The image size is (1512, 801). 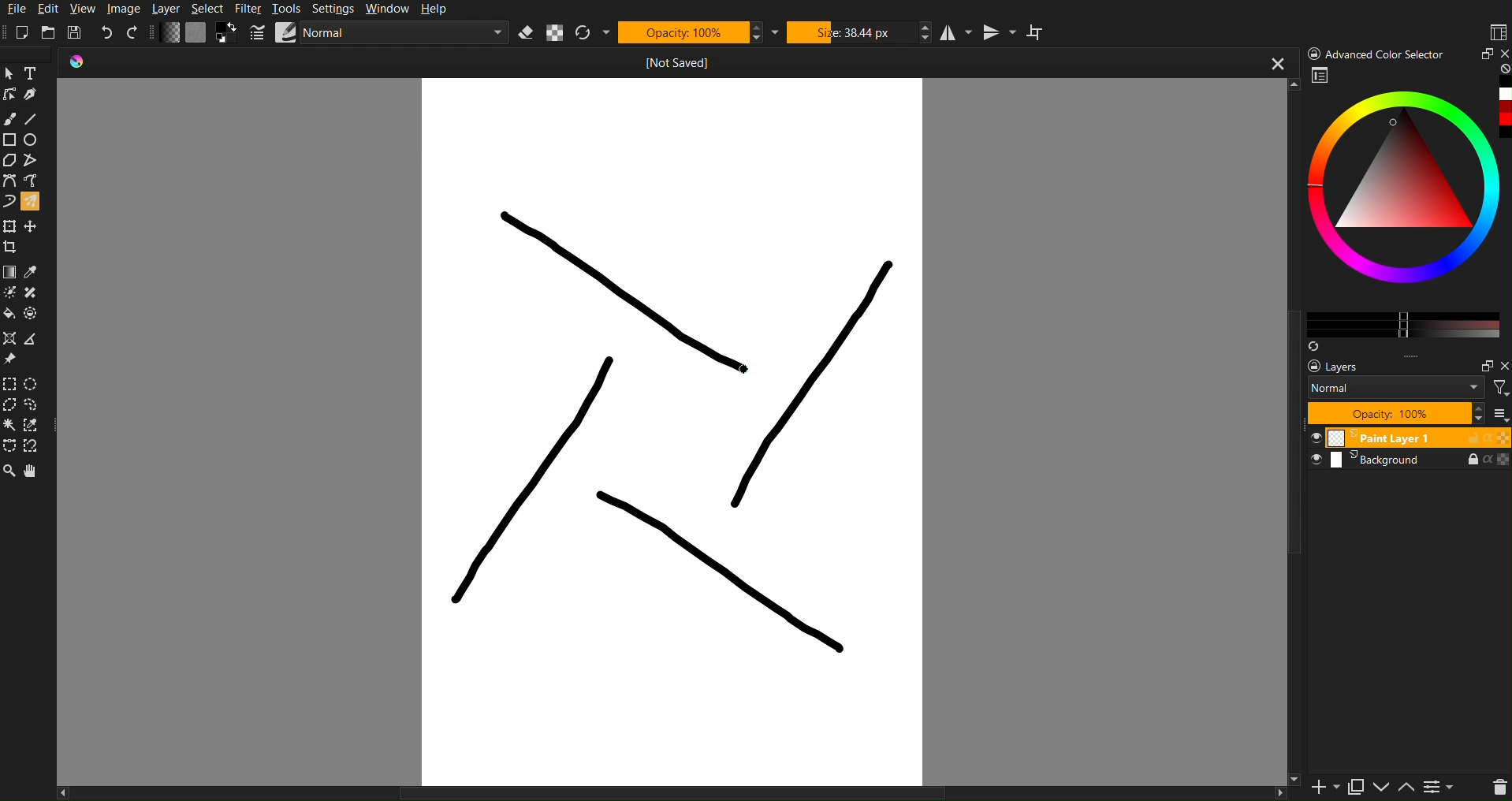 What do you see at coordinates (35, 72) in the screenshot?
I see `Text` at bounding box center [35, 72].